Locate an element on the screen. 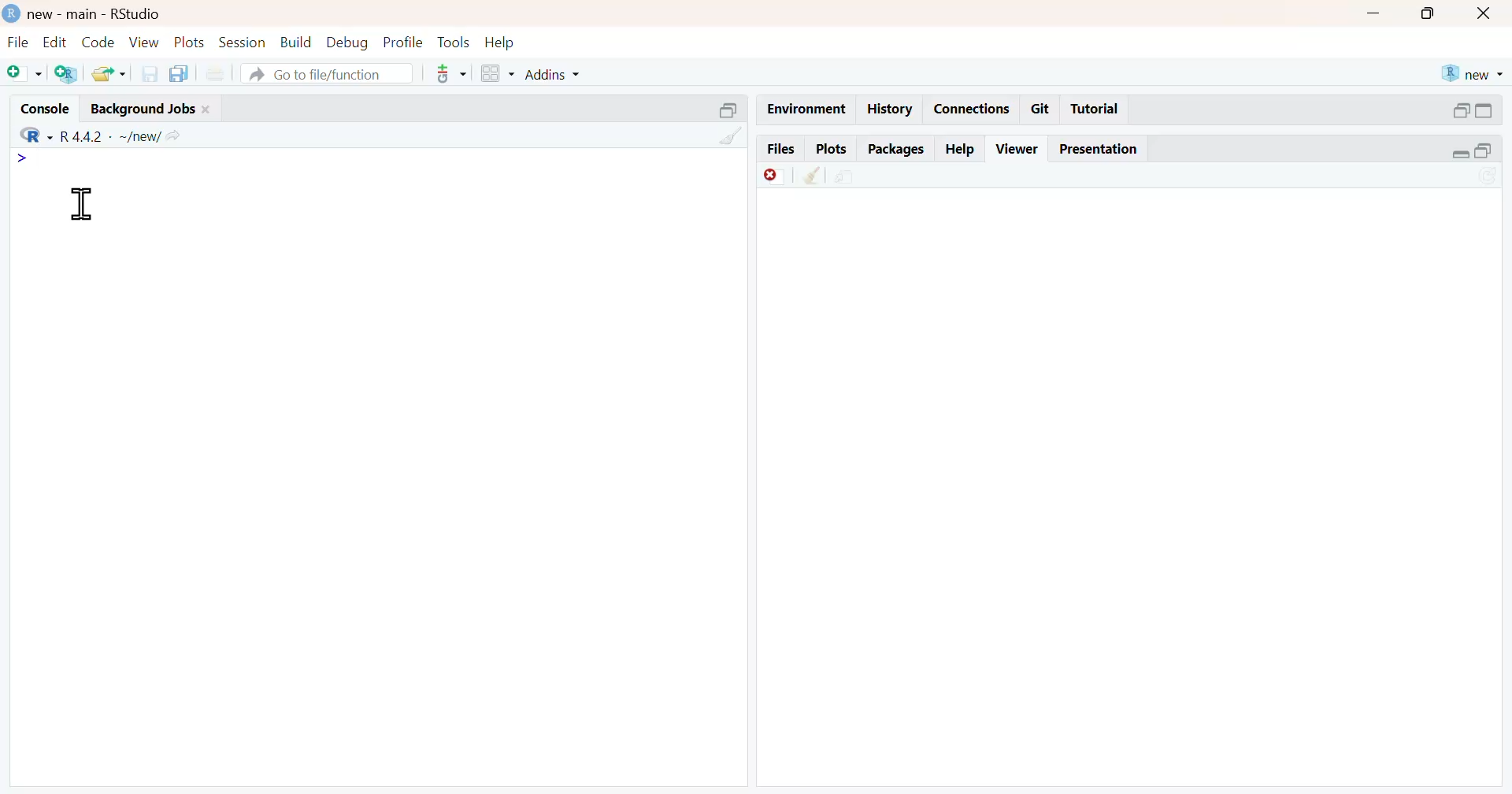 The height and width of the screenshot is (794, 1512). R 4.4.2 - new is located at coordinates (84, 135).